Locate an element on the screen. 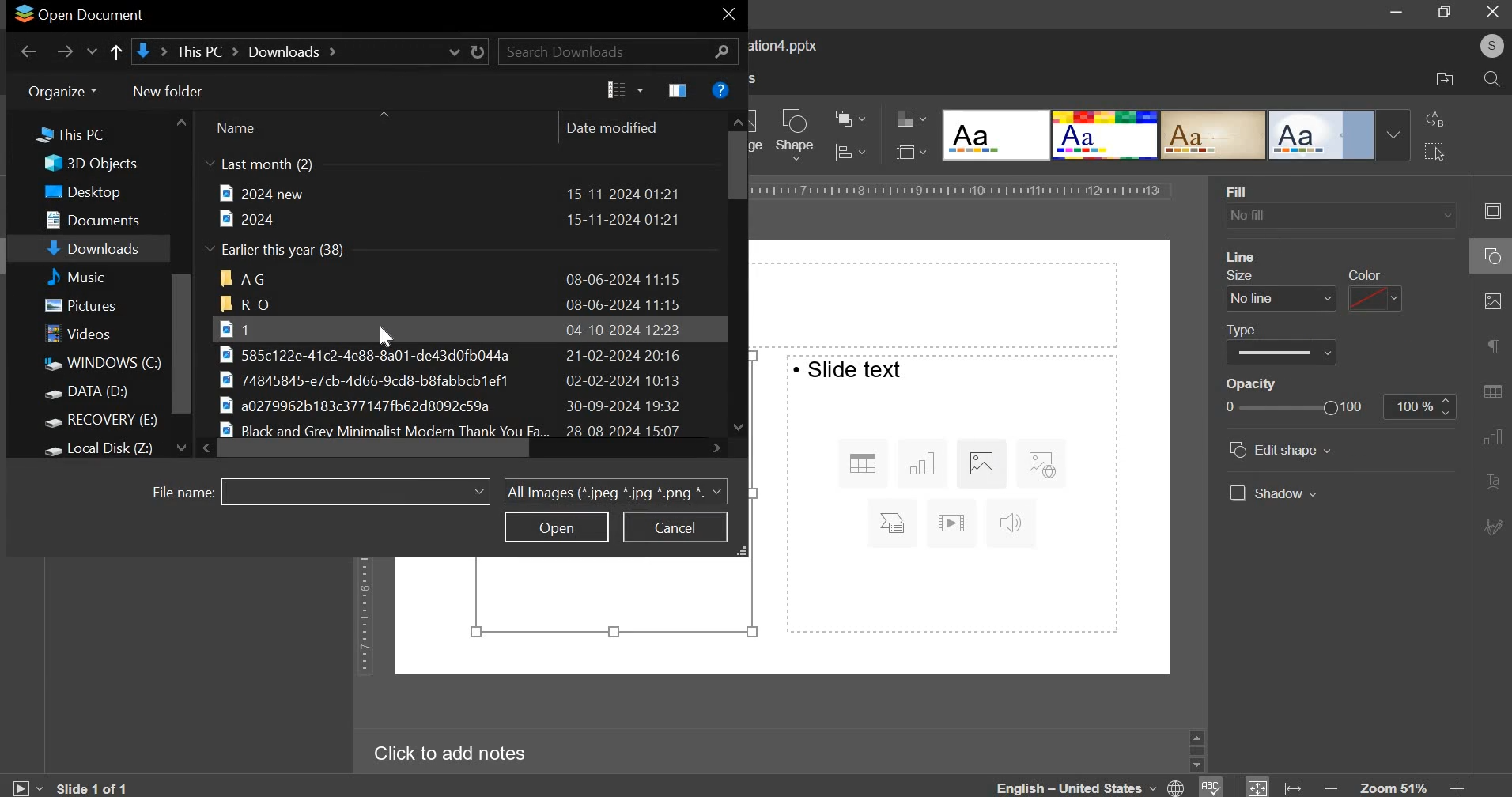  Folder  is located at coordinates (452, 278).